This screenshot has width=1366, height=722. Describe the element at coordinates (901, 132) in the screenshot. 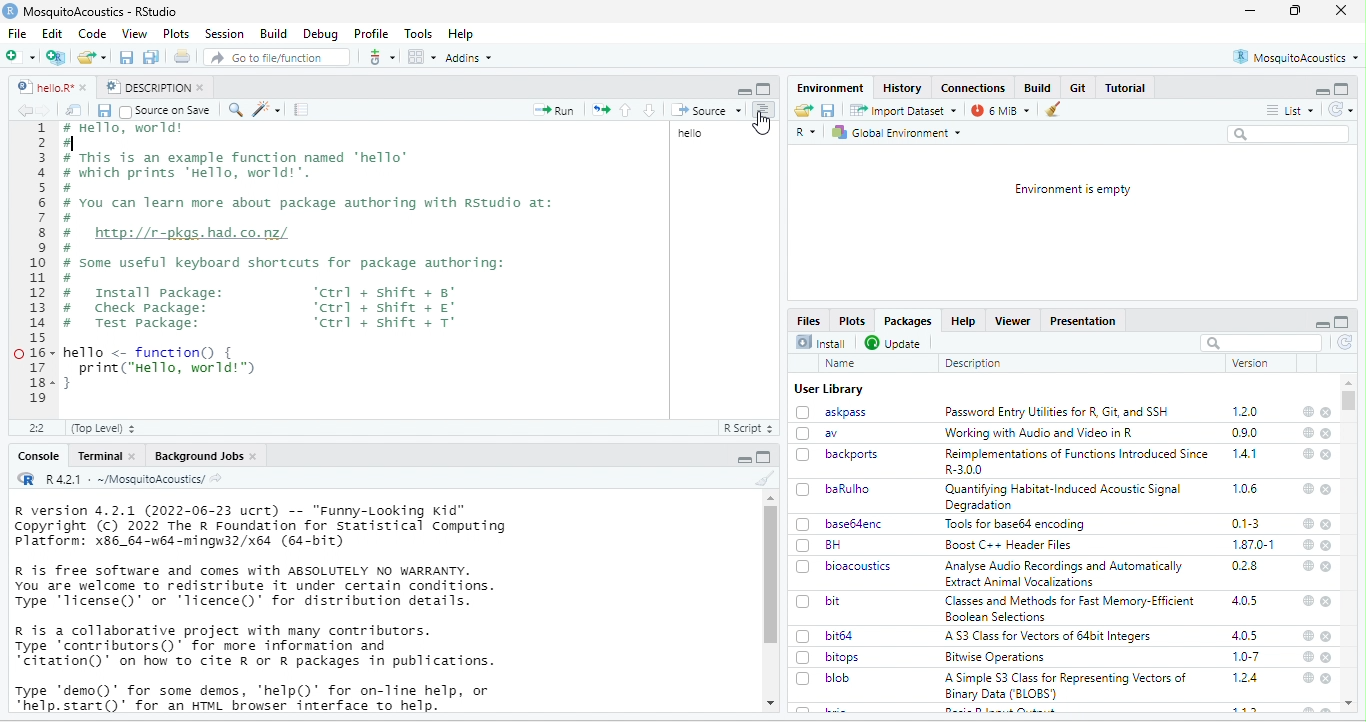

I see `Global Environment` at that location.